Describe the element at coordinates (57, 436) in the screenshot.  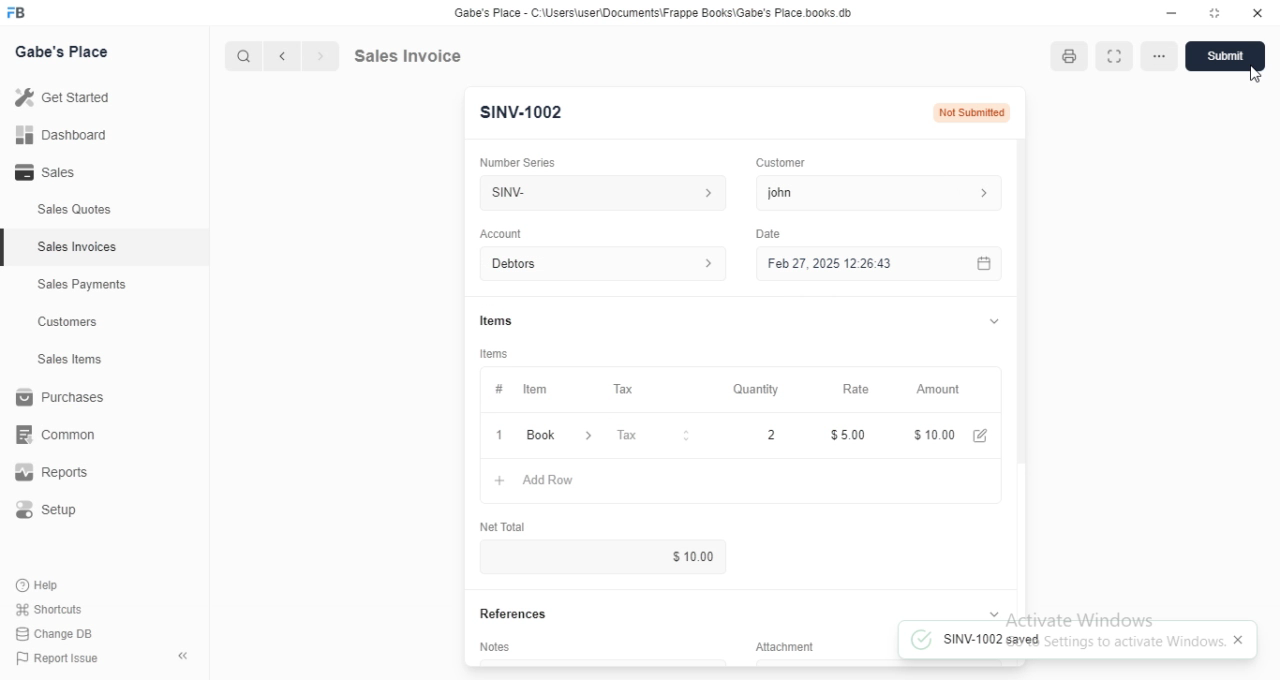
I see `common` at that location.